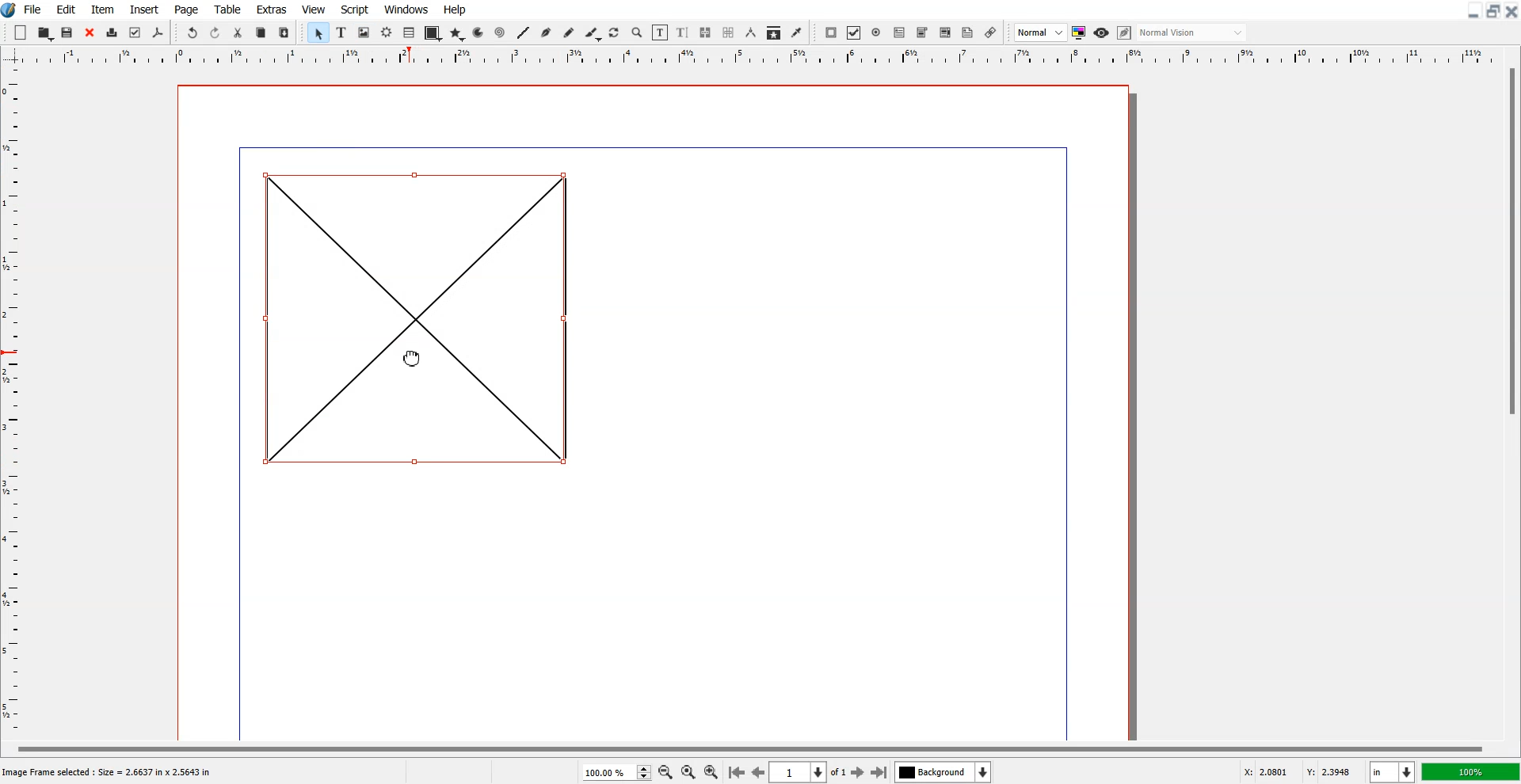 The image size is (1521, 784). Describe the element at coordinates (432, 34) in the screenshot. I see `Shape` at that location.